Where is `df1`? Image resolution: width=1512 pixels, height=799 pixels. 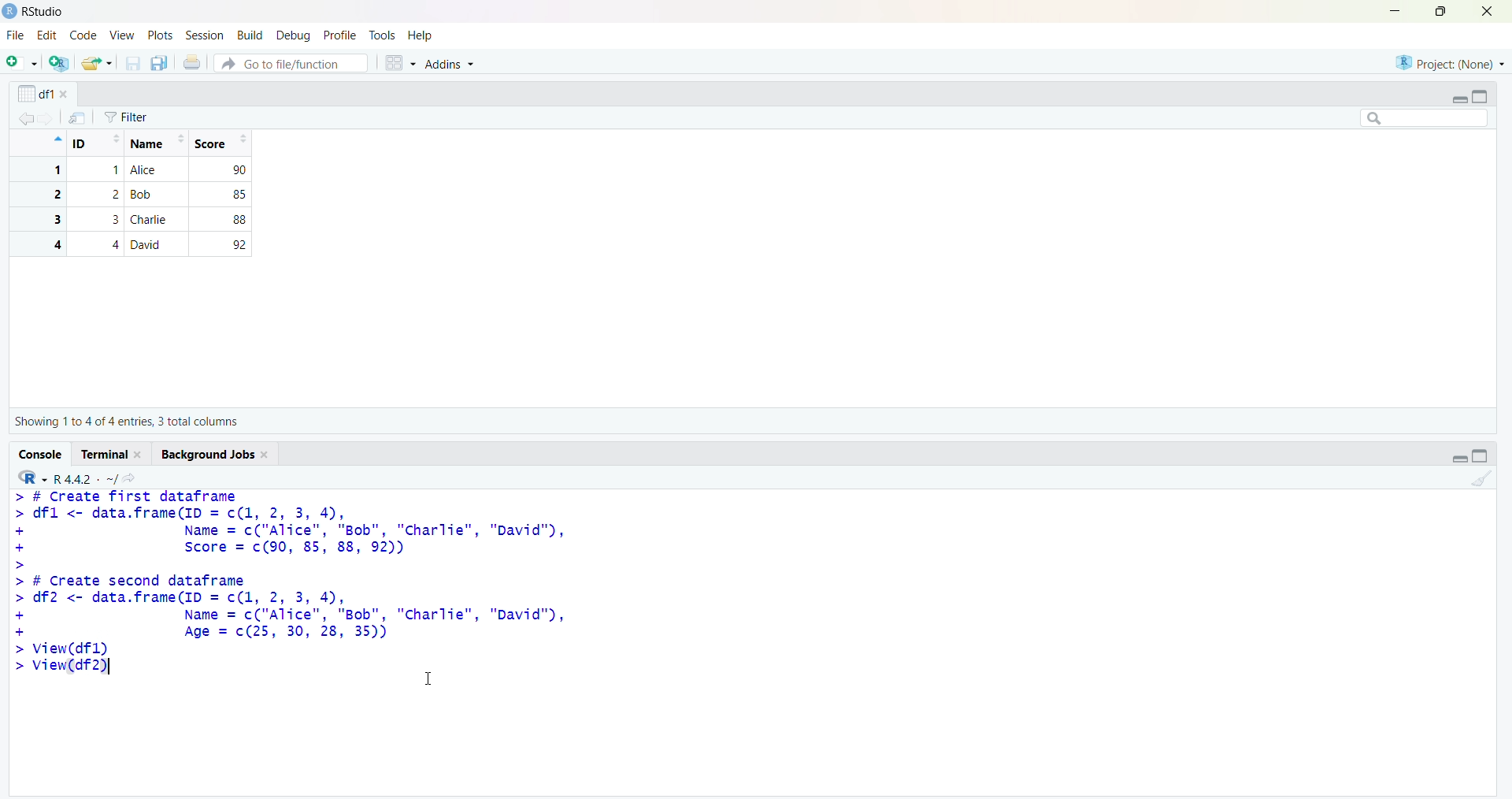 df1 is located at coordinates (35, 94).